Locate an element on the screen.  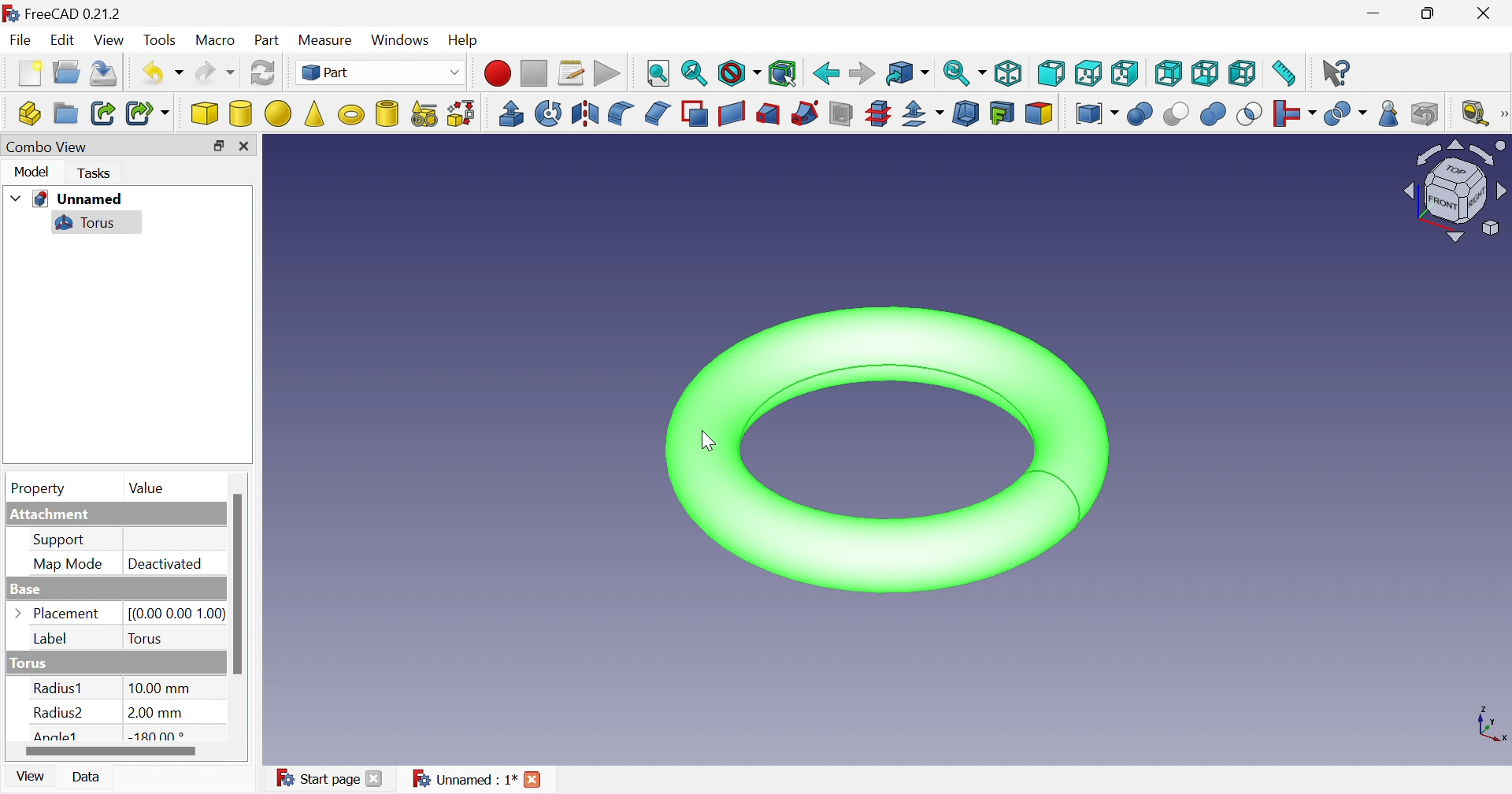
Support is located at coordinates (63, 540).